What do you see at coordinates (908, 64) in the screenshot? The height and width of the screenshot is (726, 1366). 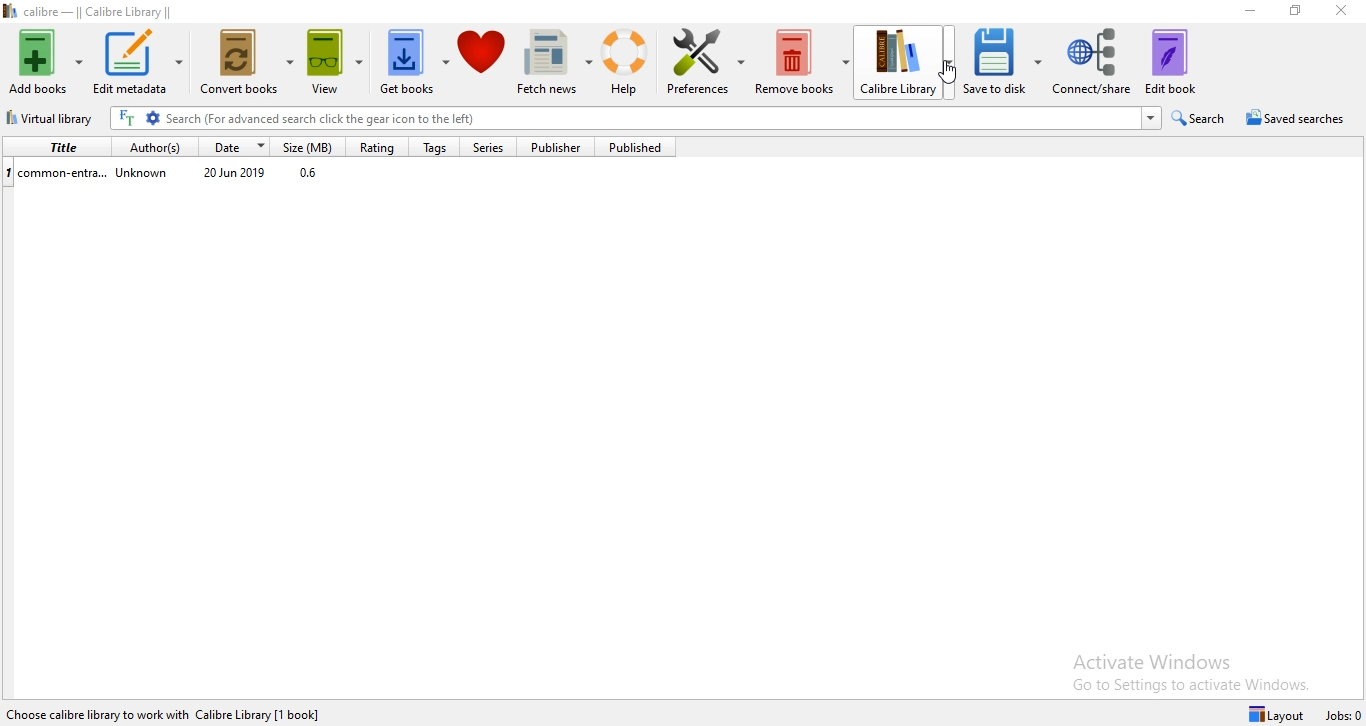 I see `Calibre Library` at bounding box center [908, 64].